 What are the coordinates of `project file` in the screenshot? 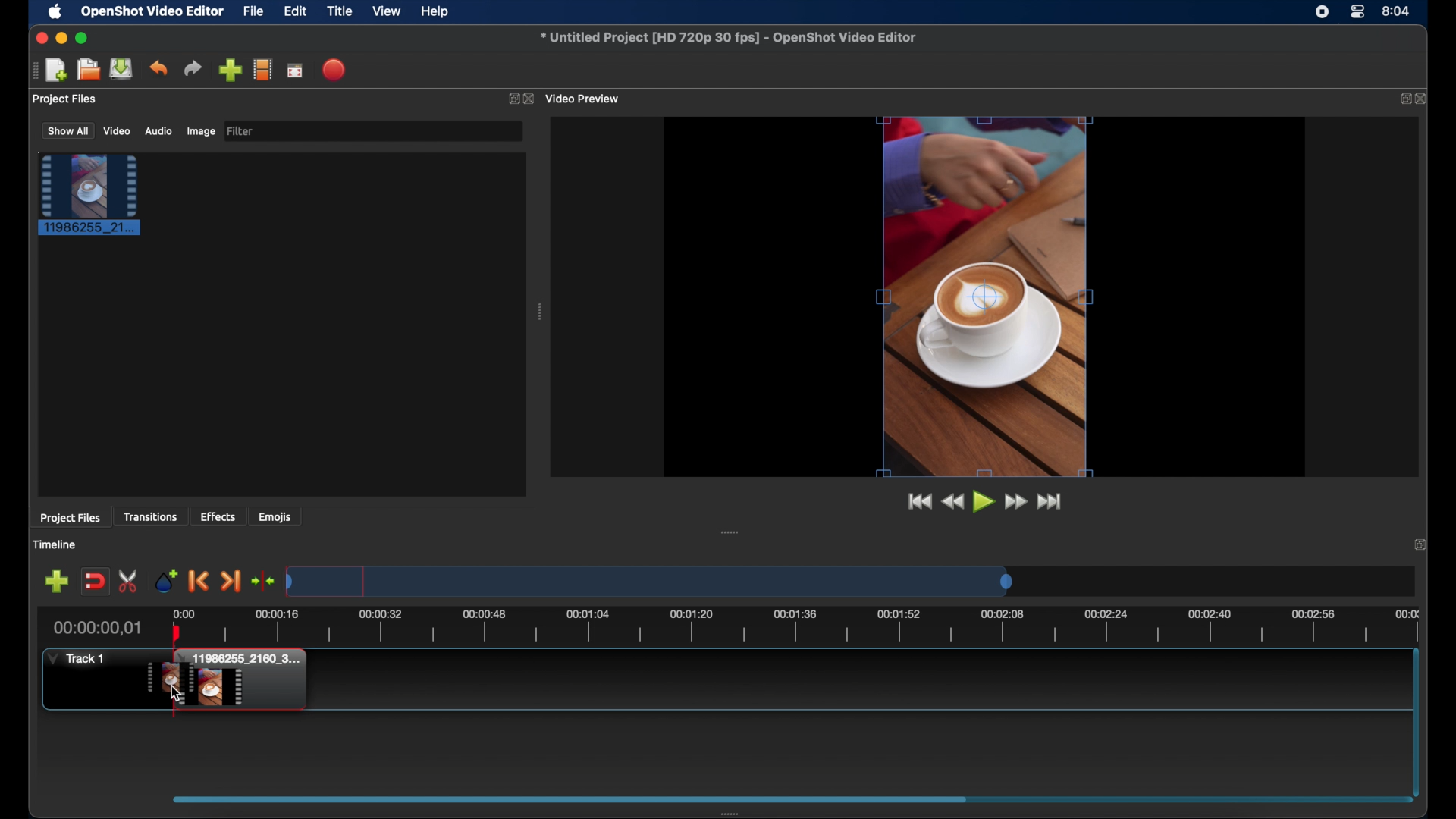 It's located at (90, 195).